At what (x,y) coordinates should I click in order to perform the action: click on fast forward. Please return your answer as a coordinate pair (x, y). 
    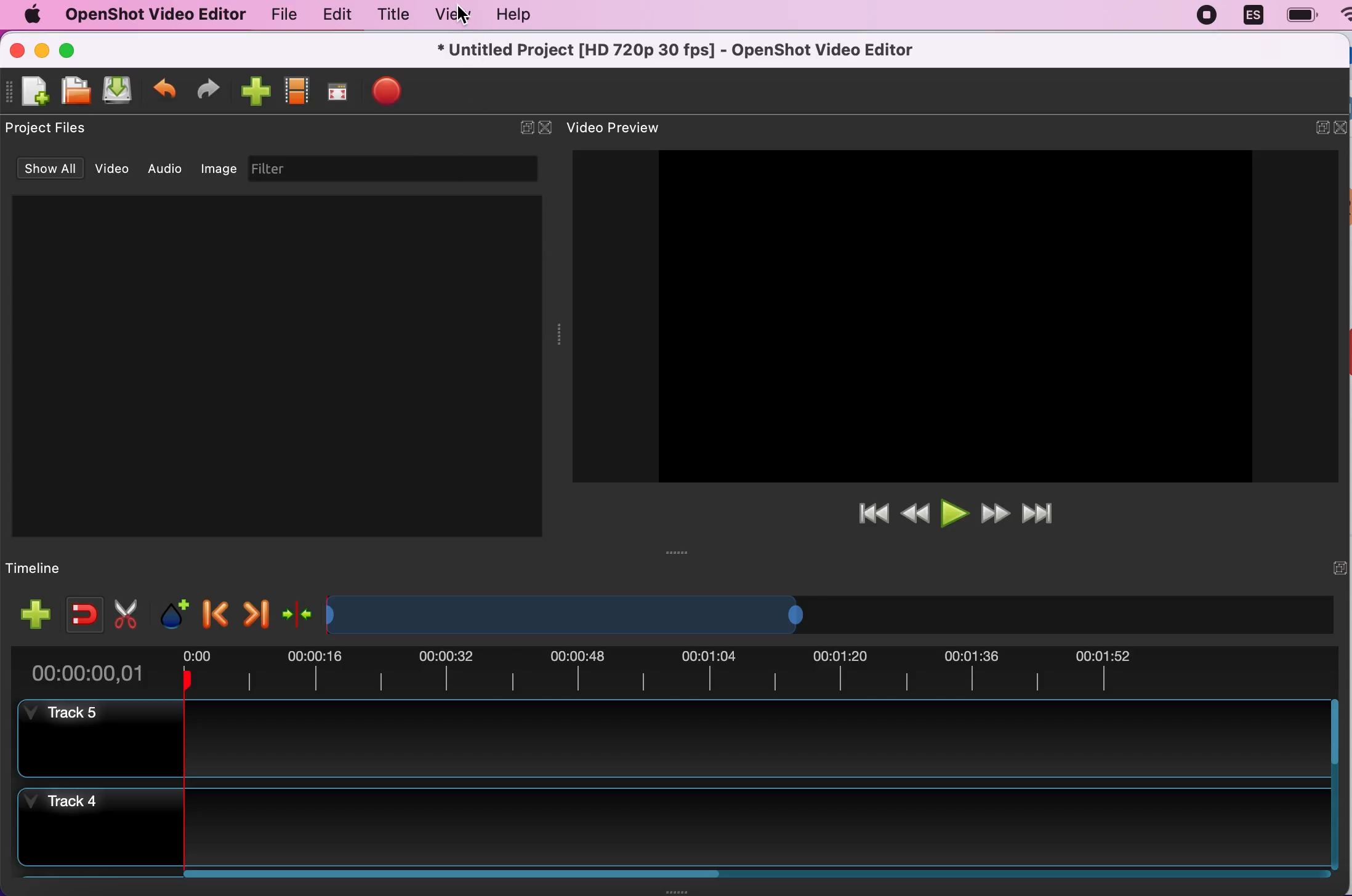
    Looking at the image, I should click on (994, 511).